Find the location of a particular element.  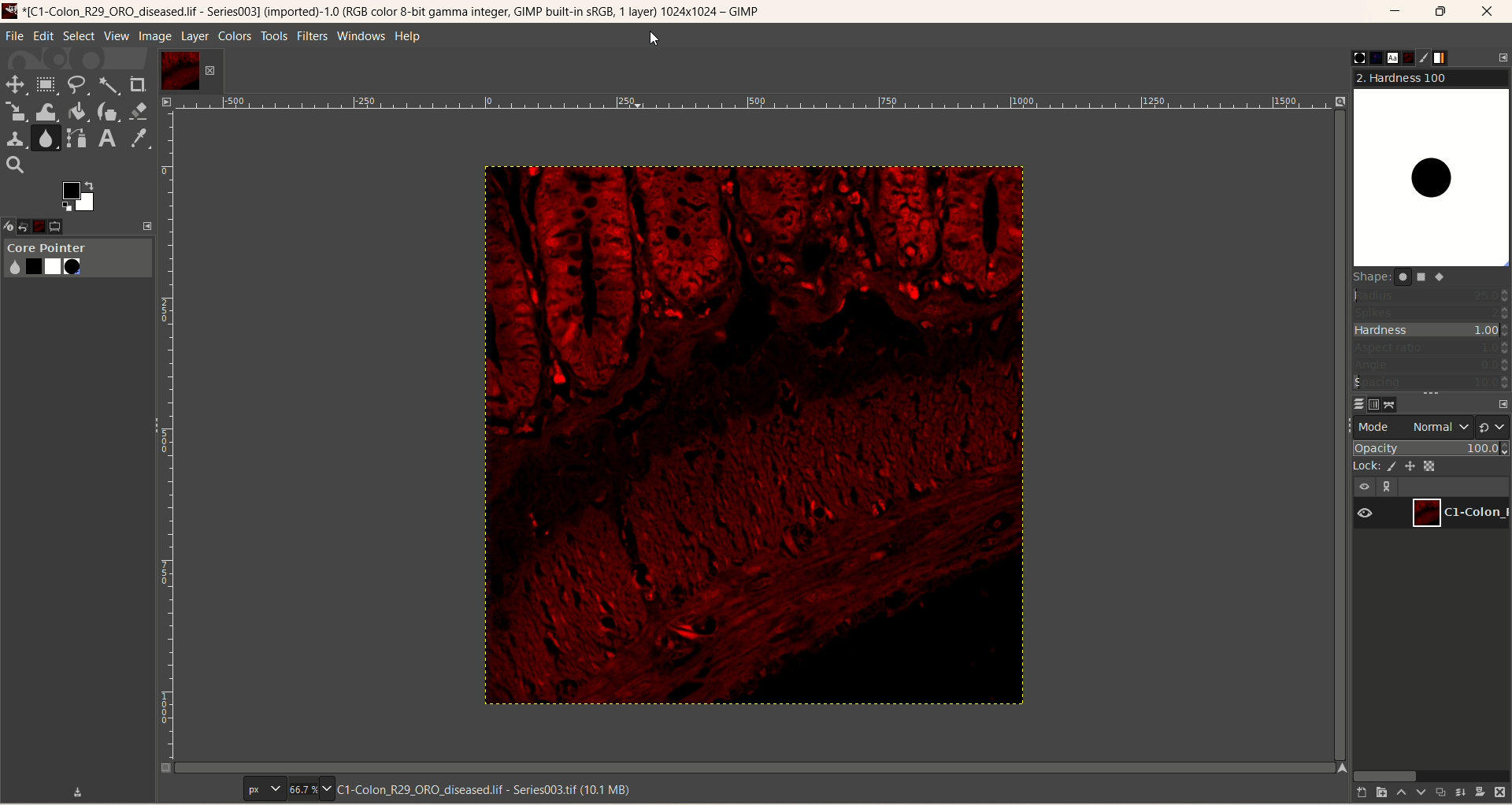

aspect ratio is located at coordinates (1432, 348).